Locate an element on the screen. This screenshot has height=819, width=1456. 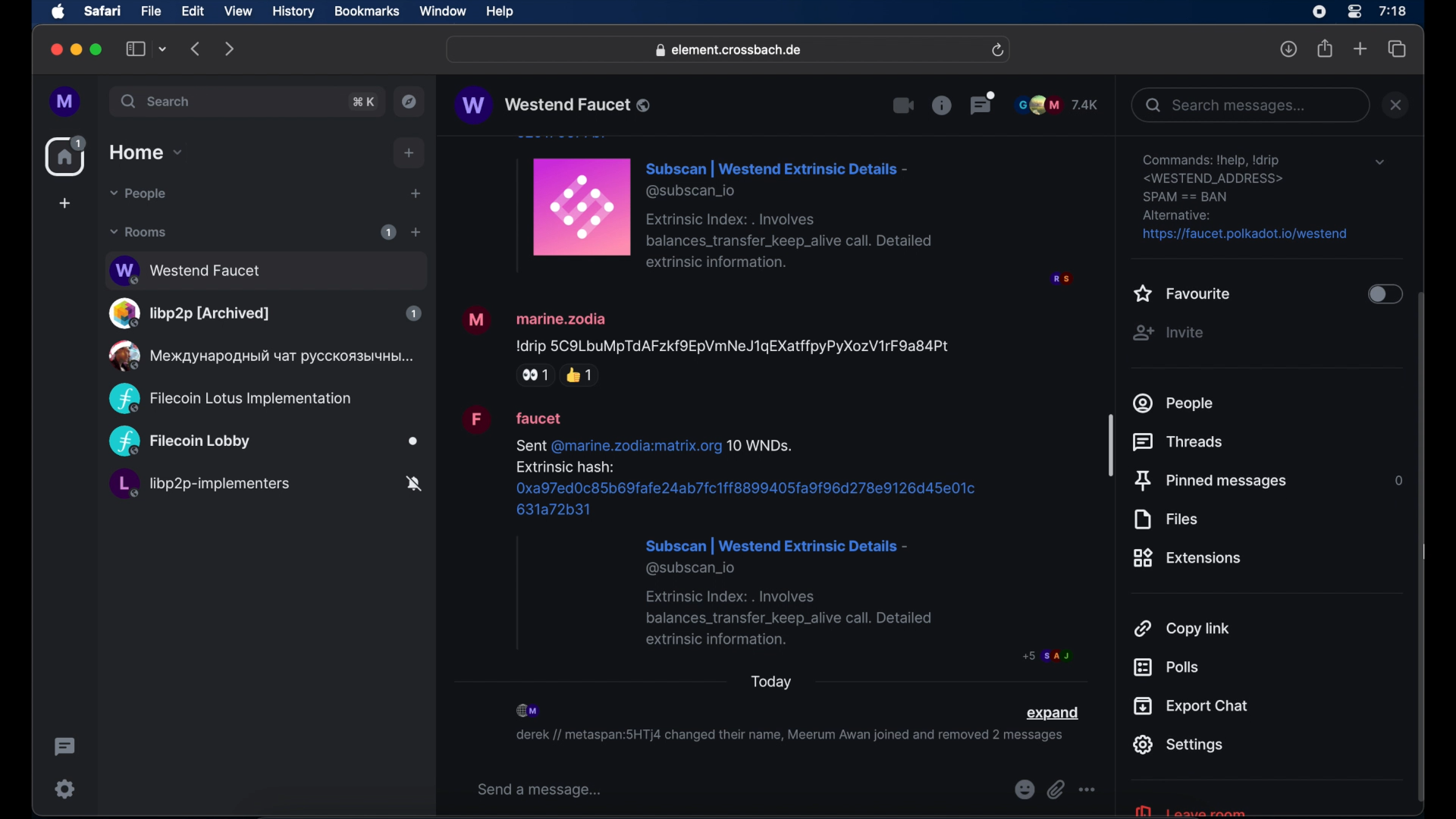
message is located at coordinates (707, 344).